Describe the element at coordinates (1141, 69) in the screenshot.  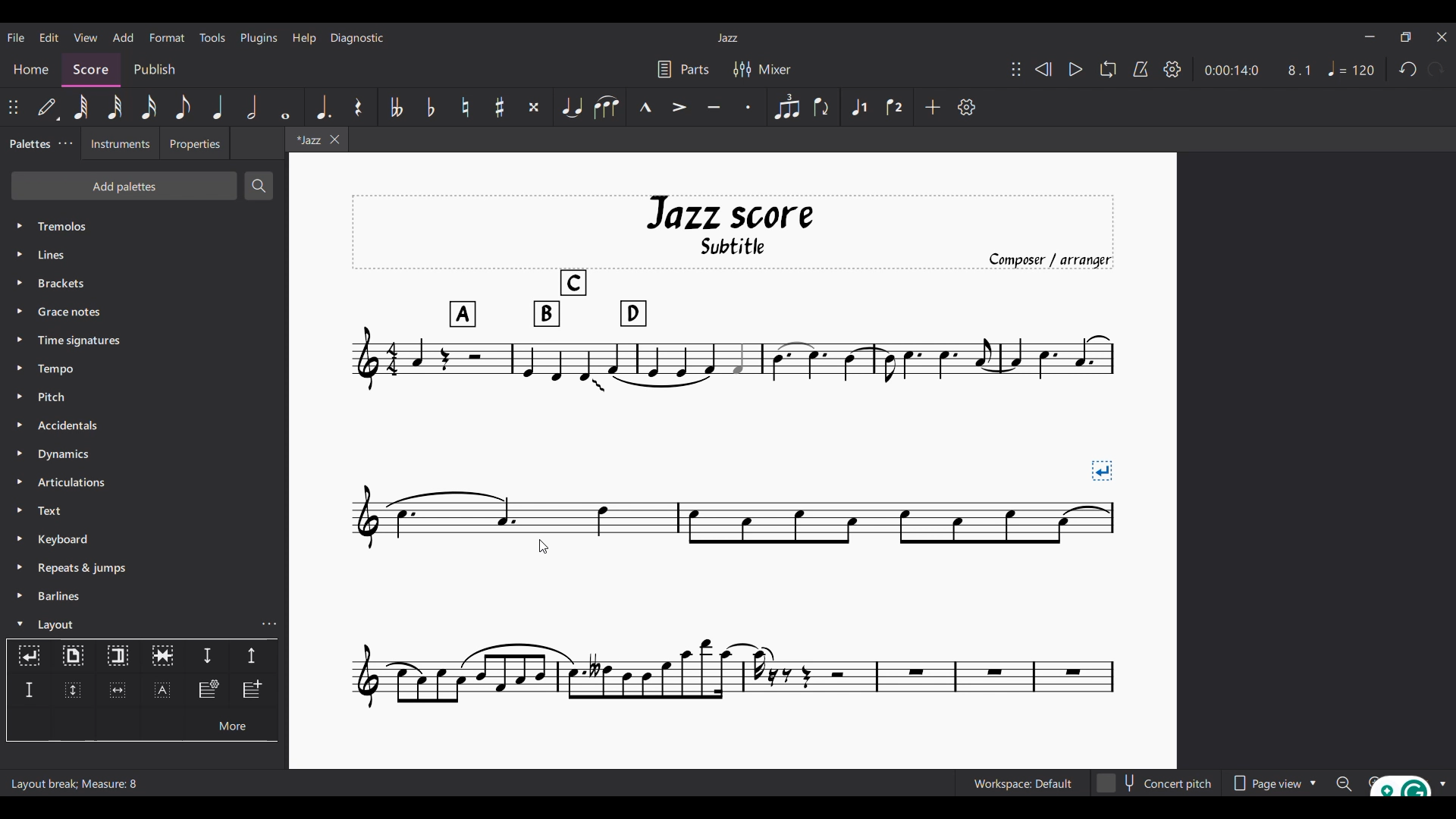
I see `Metronome ` at that location.